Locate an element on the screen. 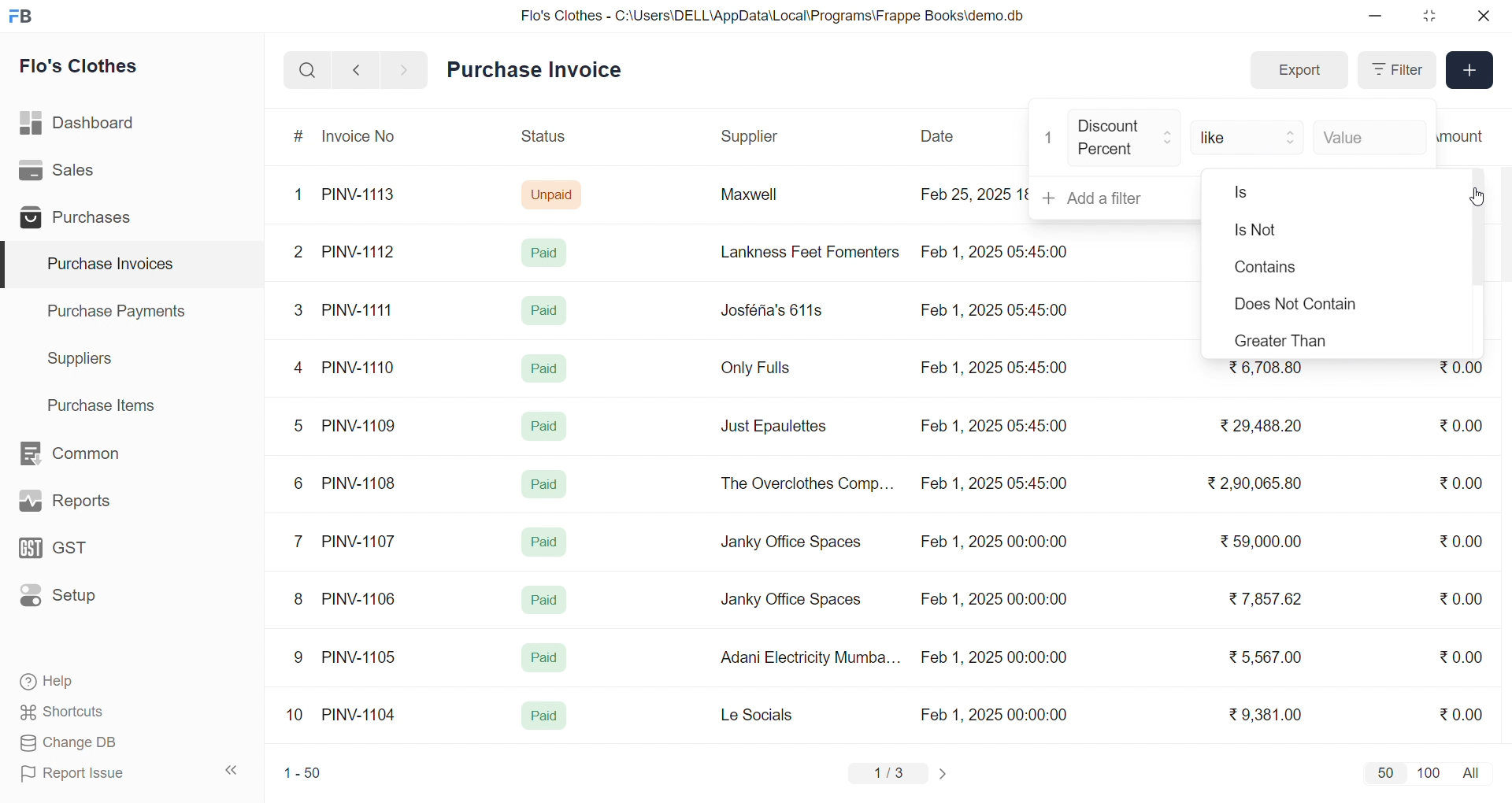  1 is located at coordinates (1050, 138).